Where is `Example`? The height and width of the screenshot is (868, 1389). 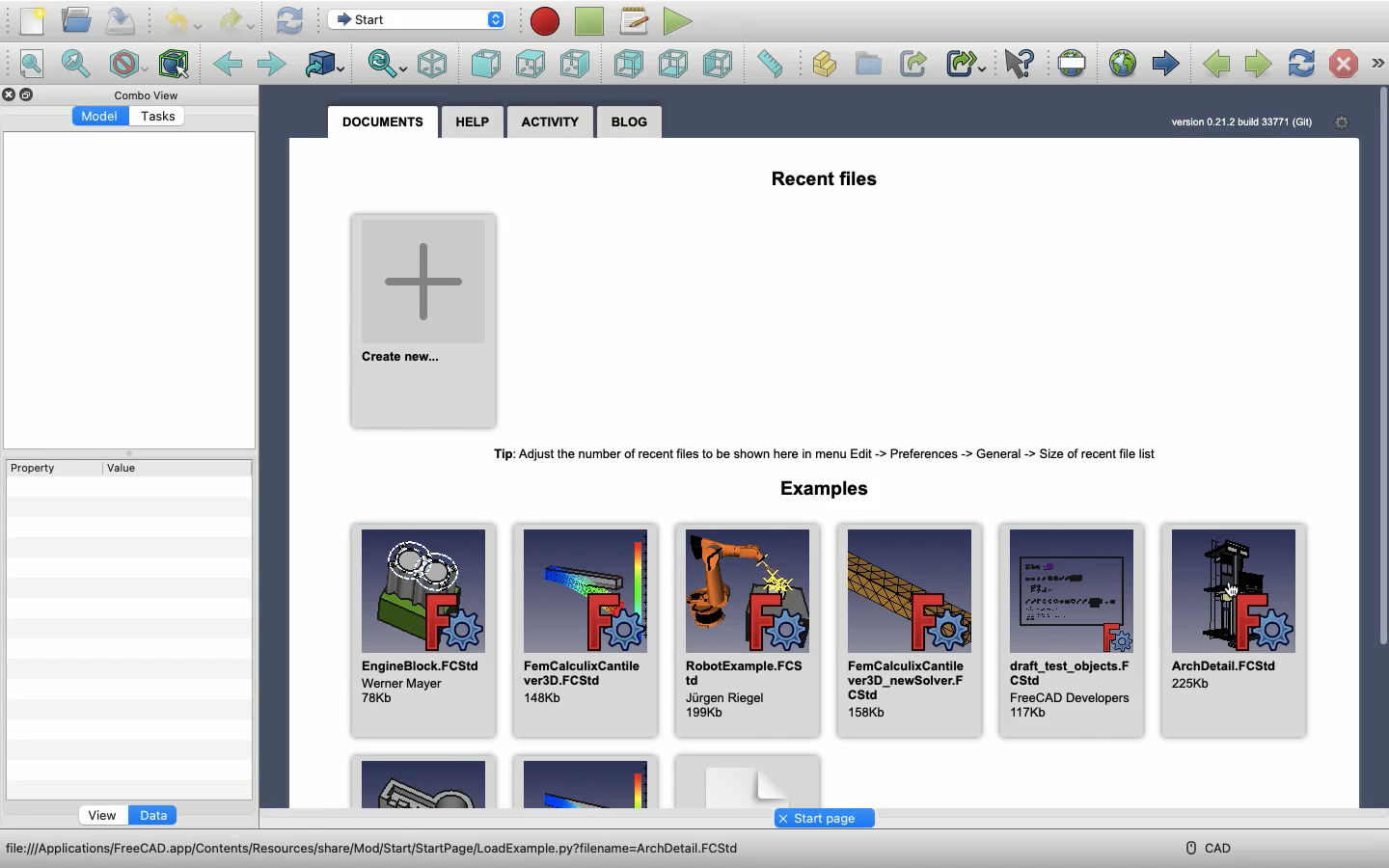
Example is located at coordinates (422, 782).